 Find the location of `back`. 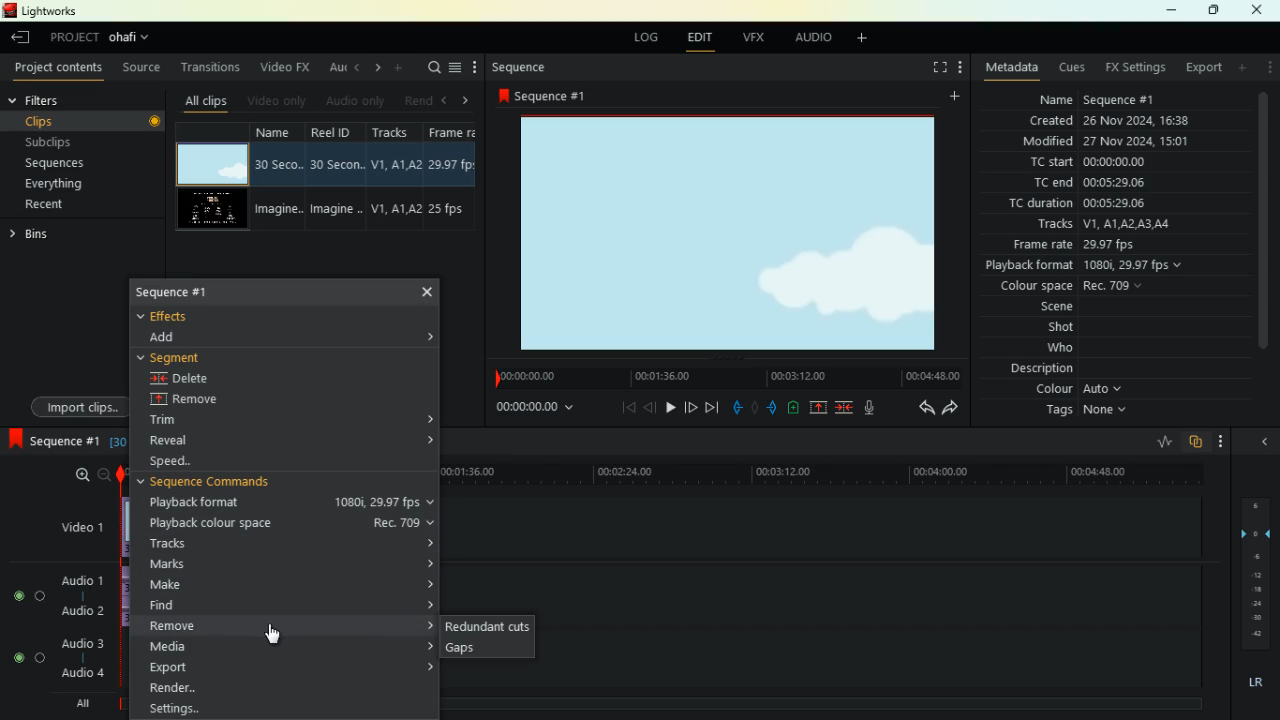

back is located at coordinates (918, 408).